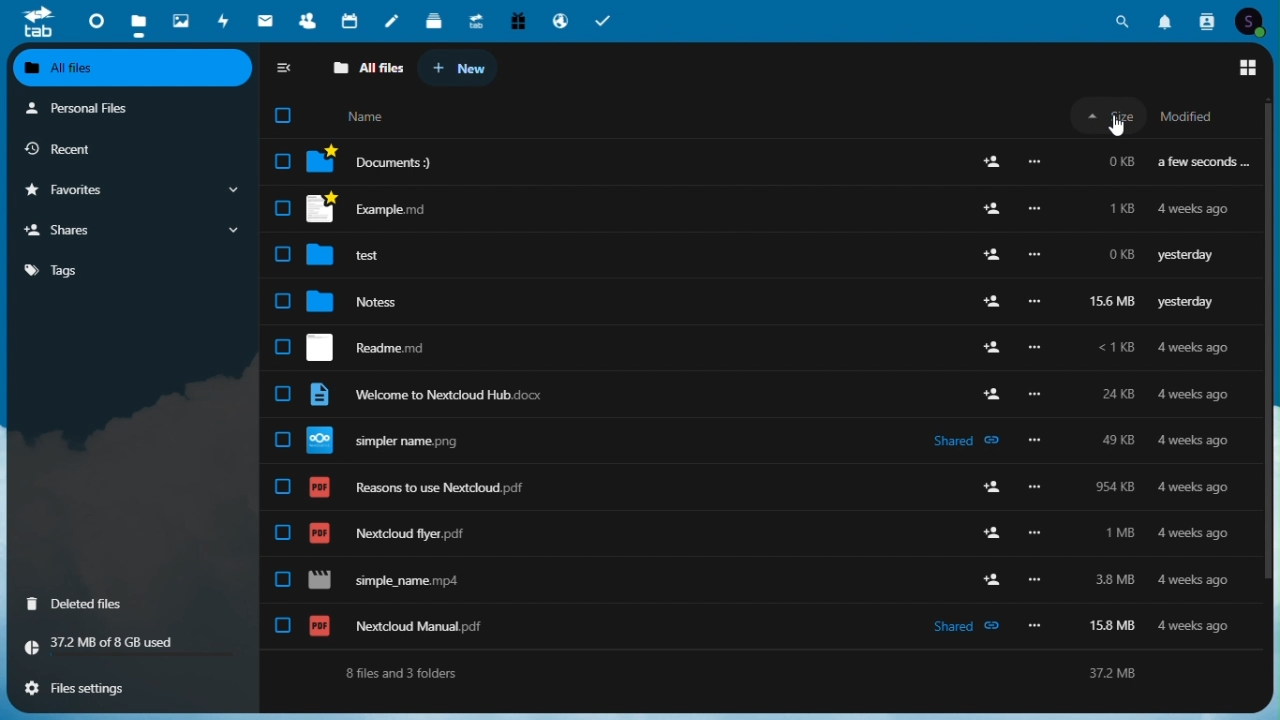 The width and height of the screenshot is (1280, 720). What do you see at coordinates (517, 20) in the screenshot?
I see `free trail` at bounding box center [517, 20].